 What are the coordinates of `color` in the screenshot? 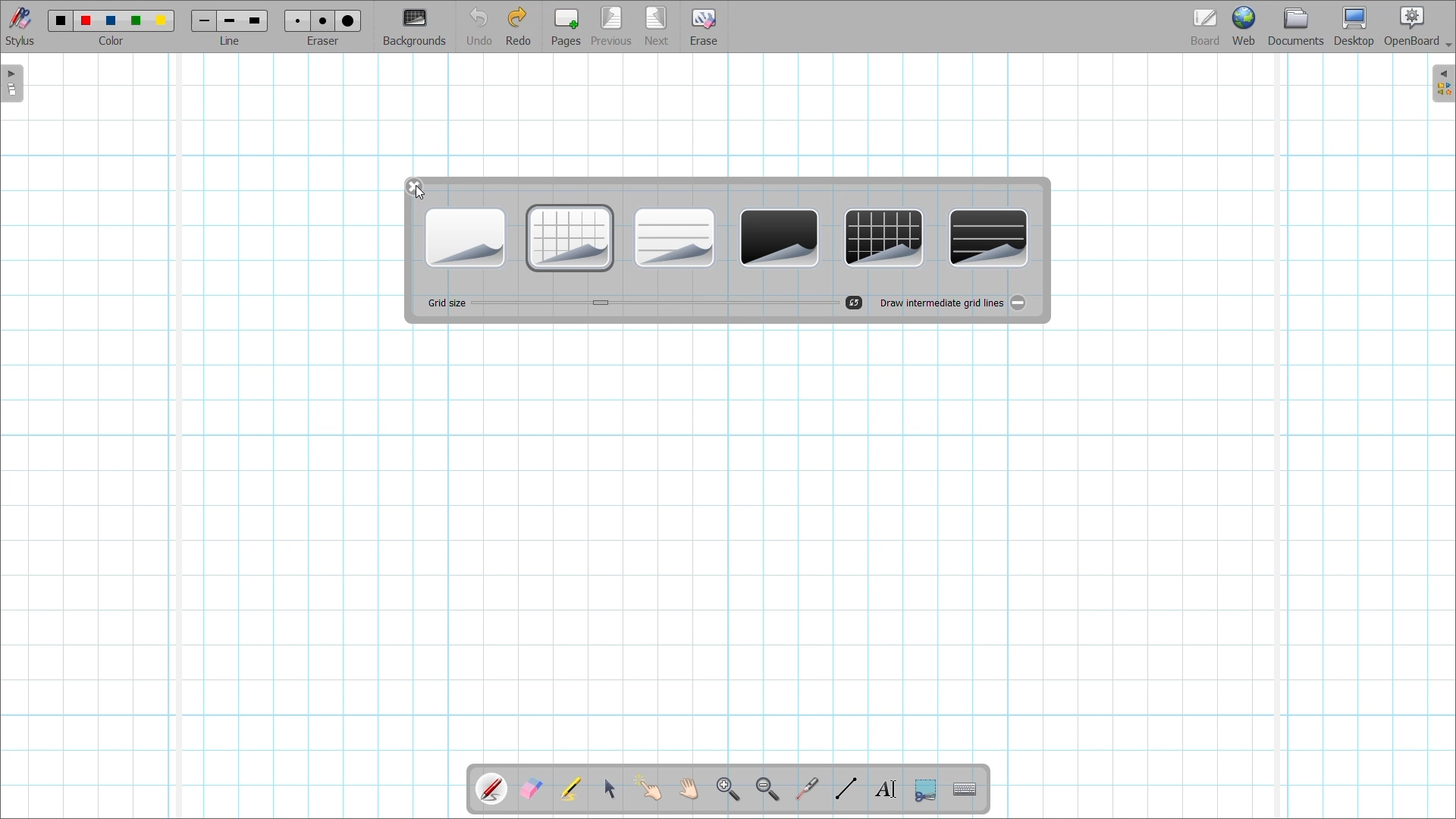 It's located at (115, 42).